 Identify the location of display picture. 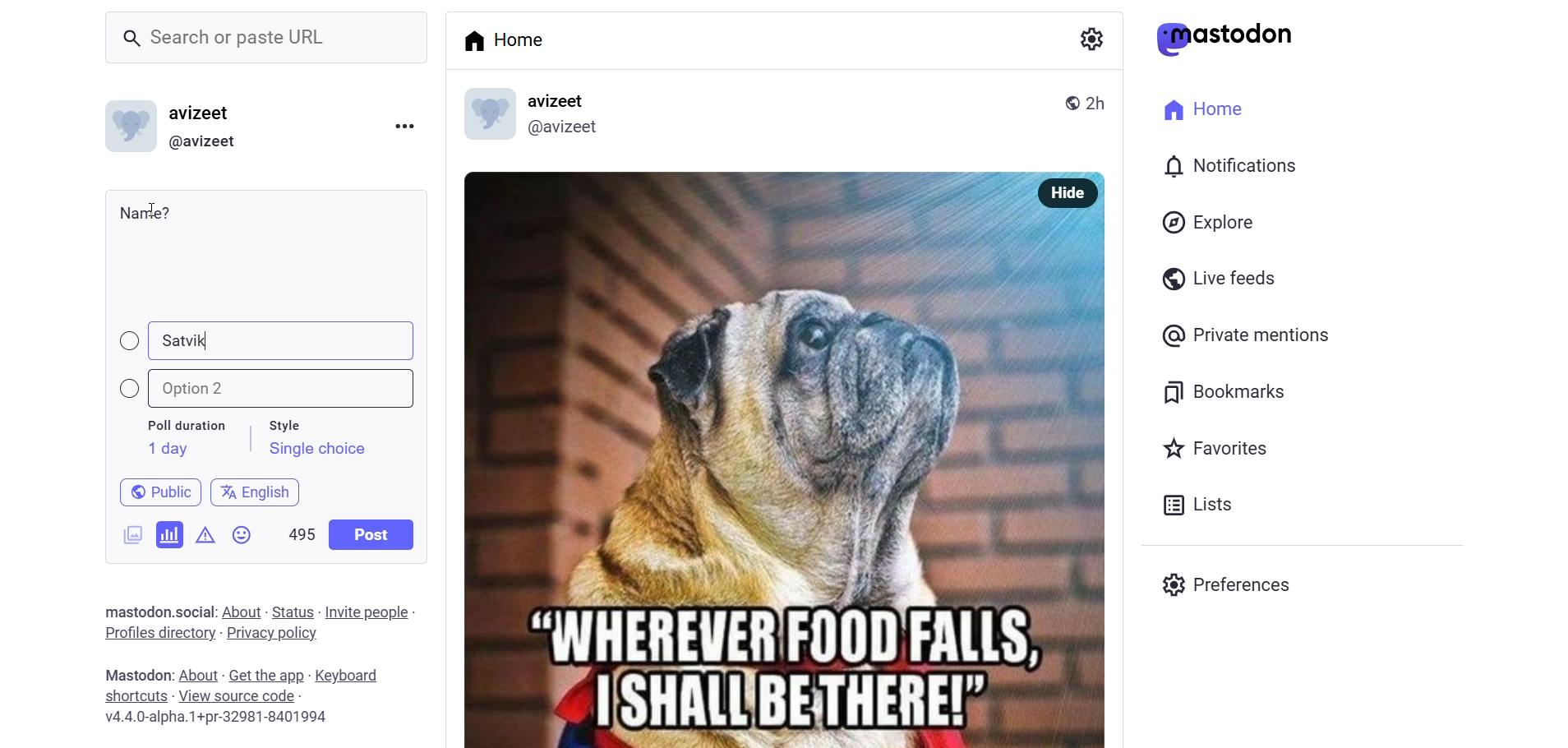
(481, 116).